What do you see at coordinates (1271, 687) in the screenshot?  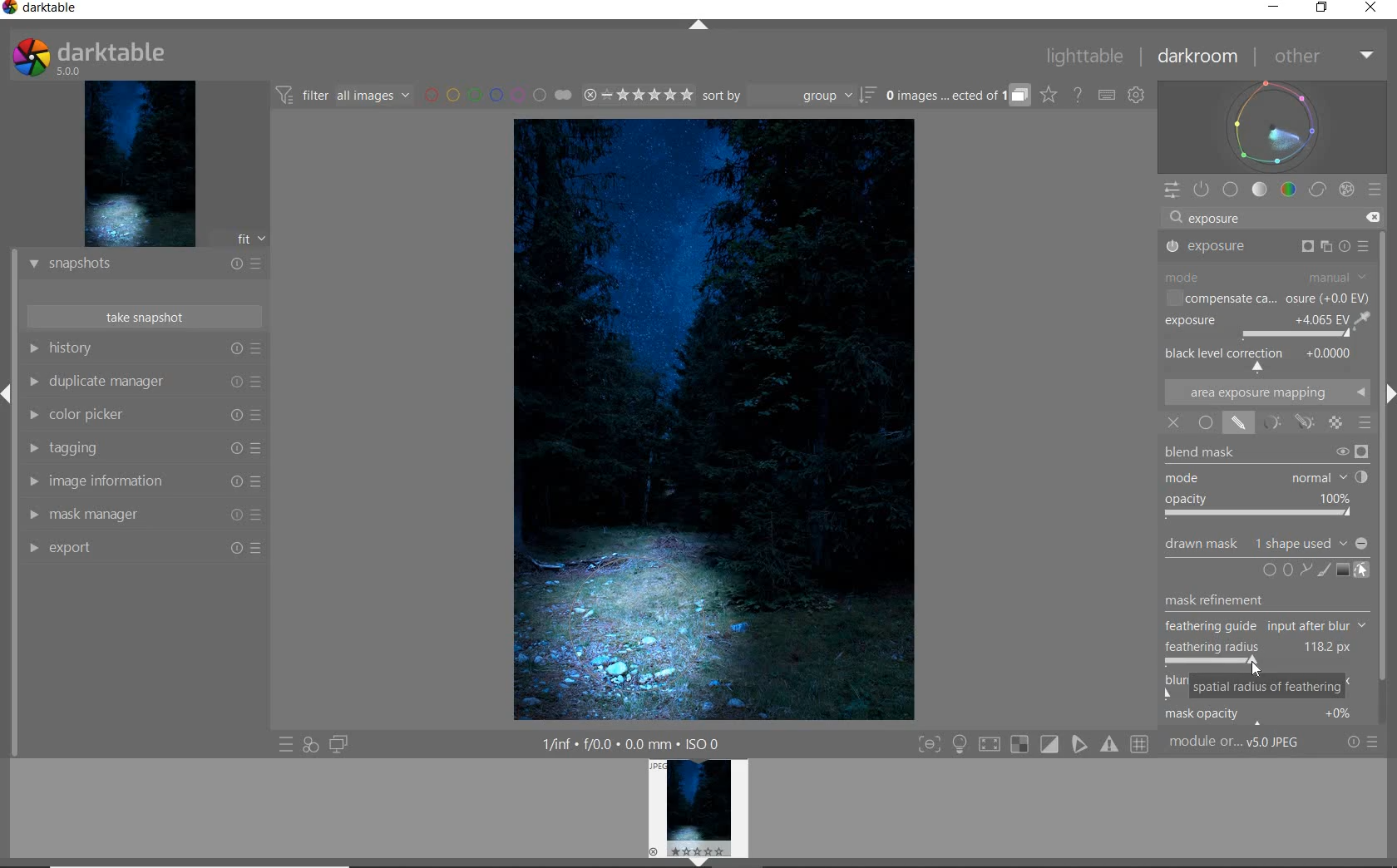 I see `SPATIAL RADIUS OF FEATHERING` at bounding box center [1271, 687].